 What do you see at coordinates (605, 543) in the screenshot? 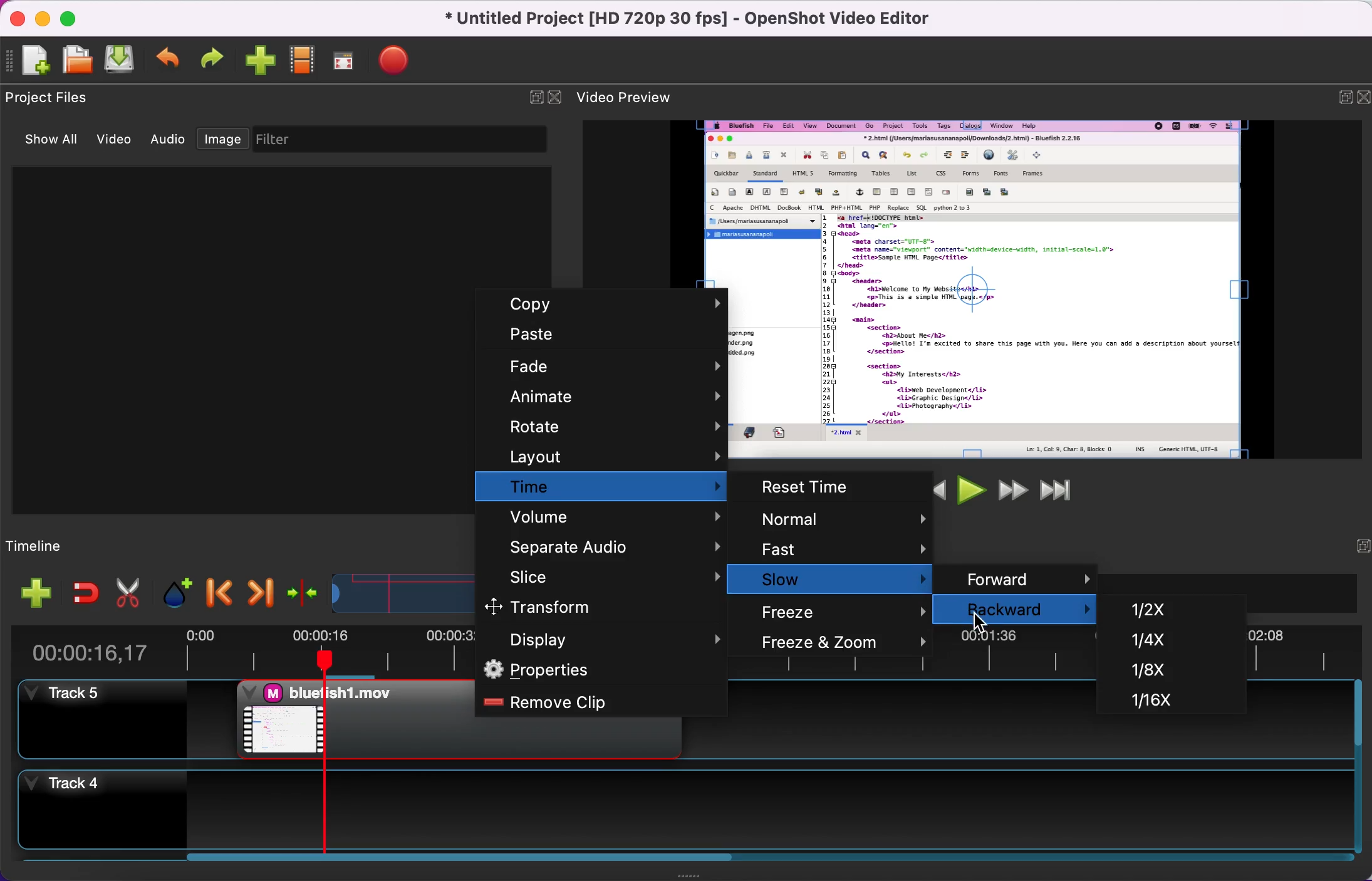
I see `separate audio` at bounding box center [605, 543].